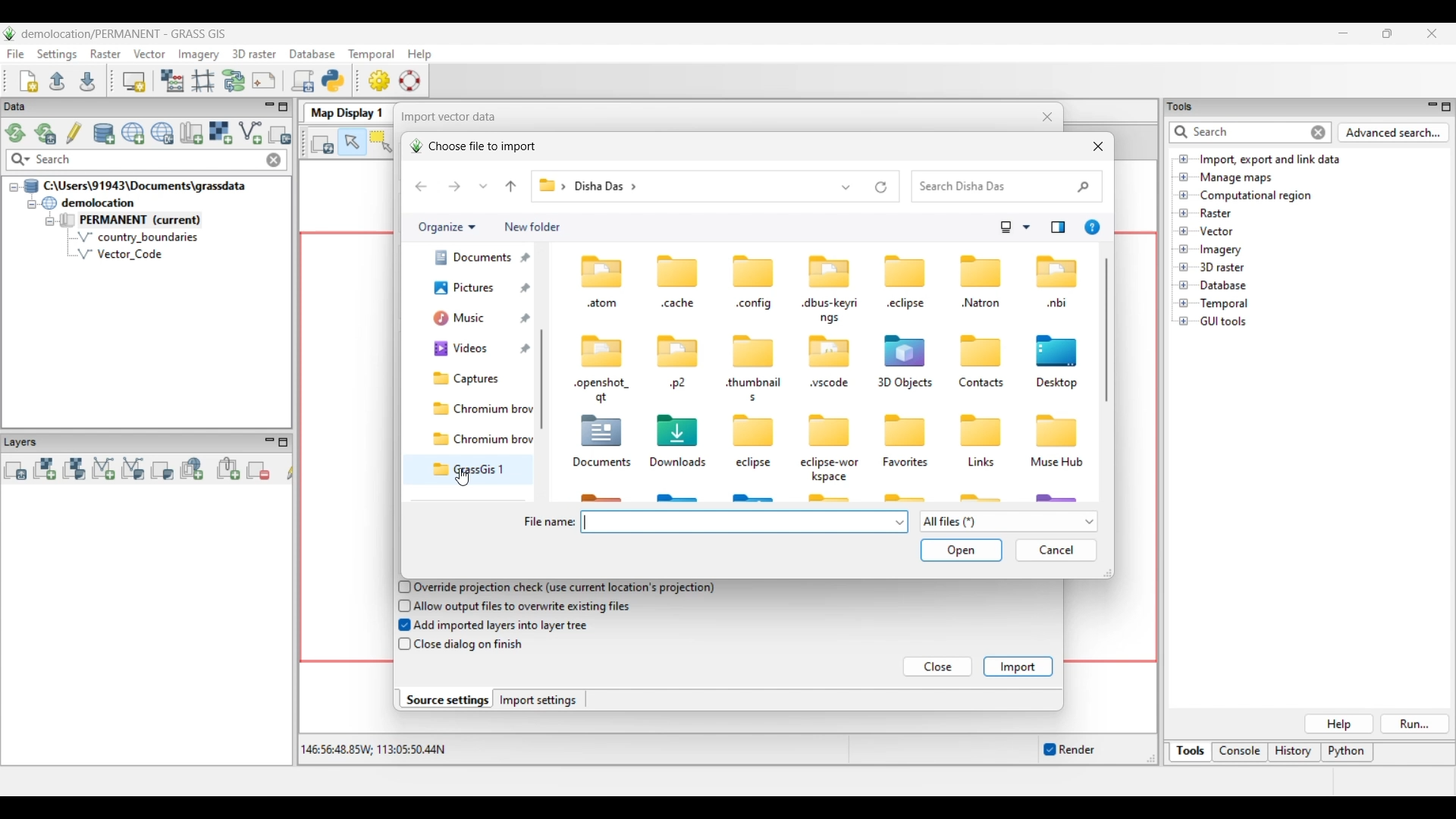  Describe the element at coordinates (400, 626) in the screenshot. I see `checkbox` at that location.